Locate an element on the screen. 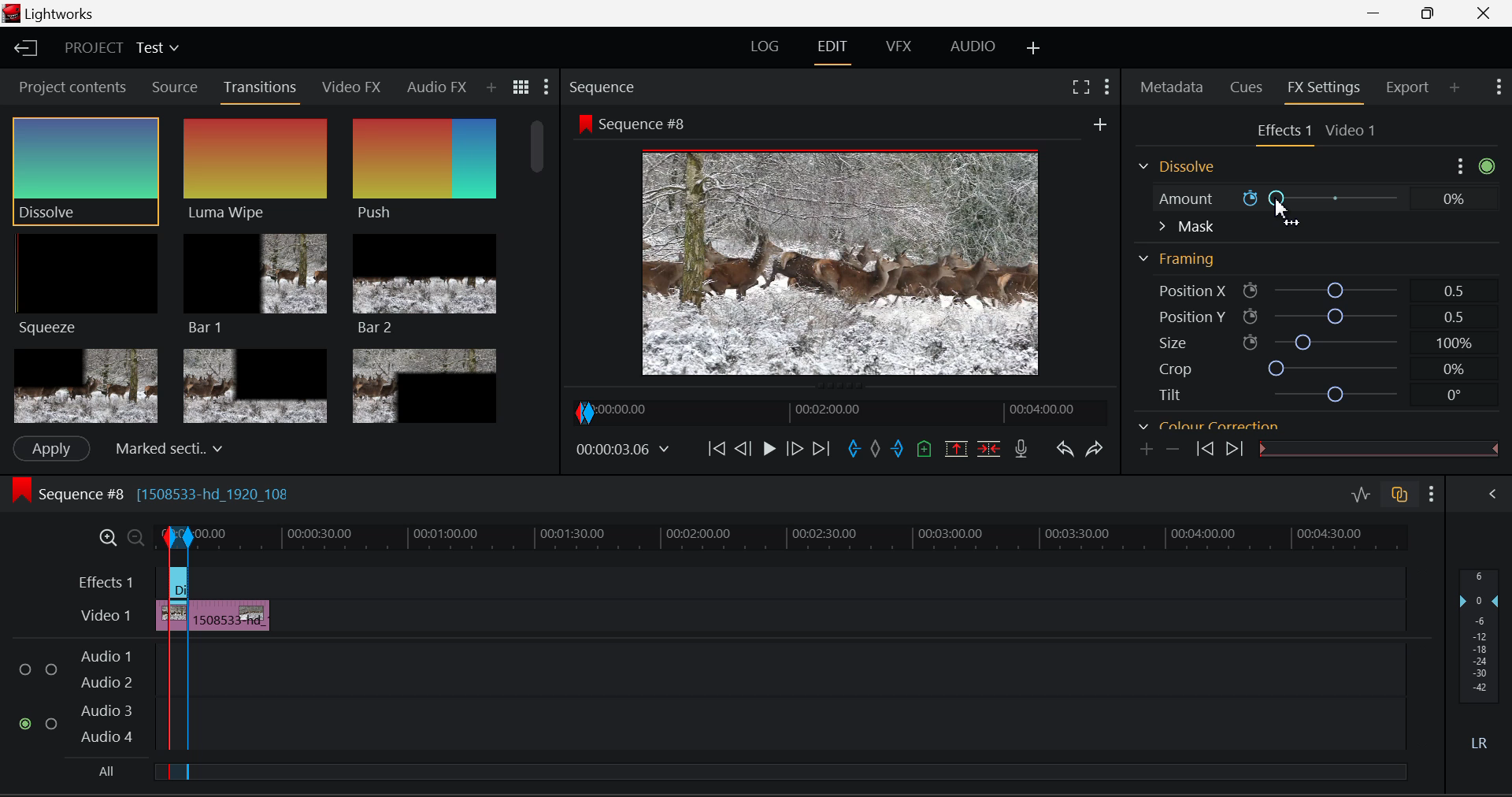  Show Settings is located at coordinates (547, 86).